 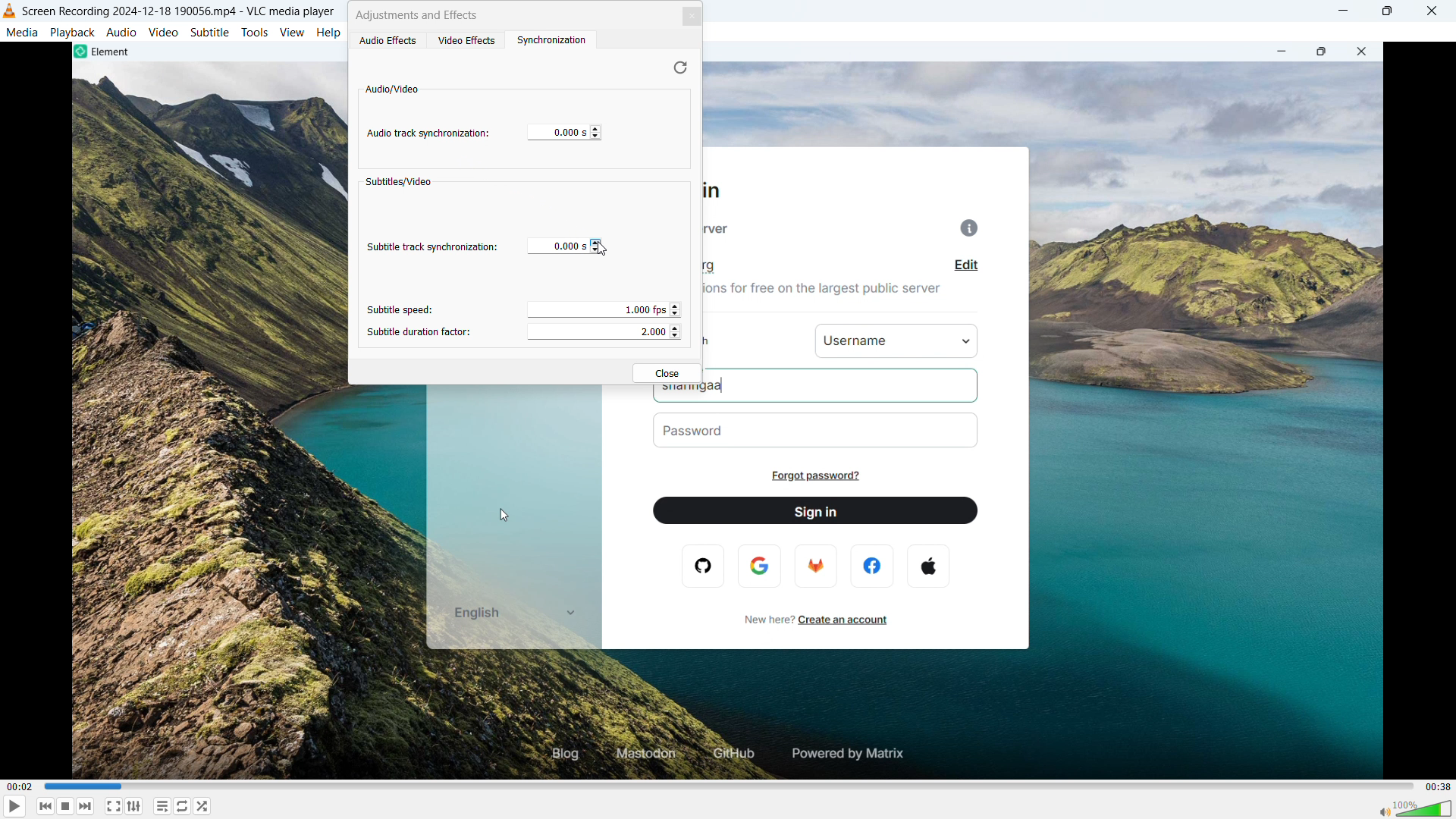 I want to click on close dialogue box, so click(x=693, y=15).